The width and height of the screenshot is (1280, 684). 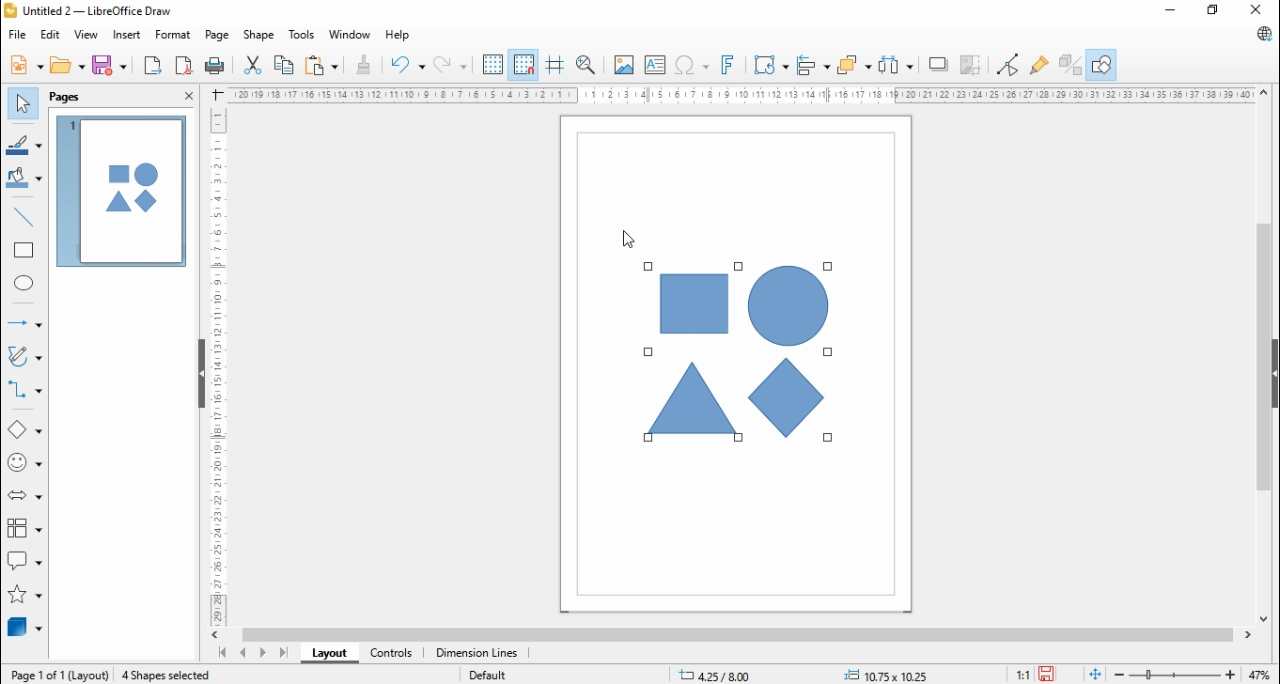 What do you see at coordinates (1169, 10) in the screenshot?
I see `minimize` at bounding box center [1169, 10].